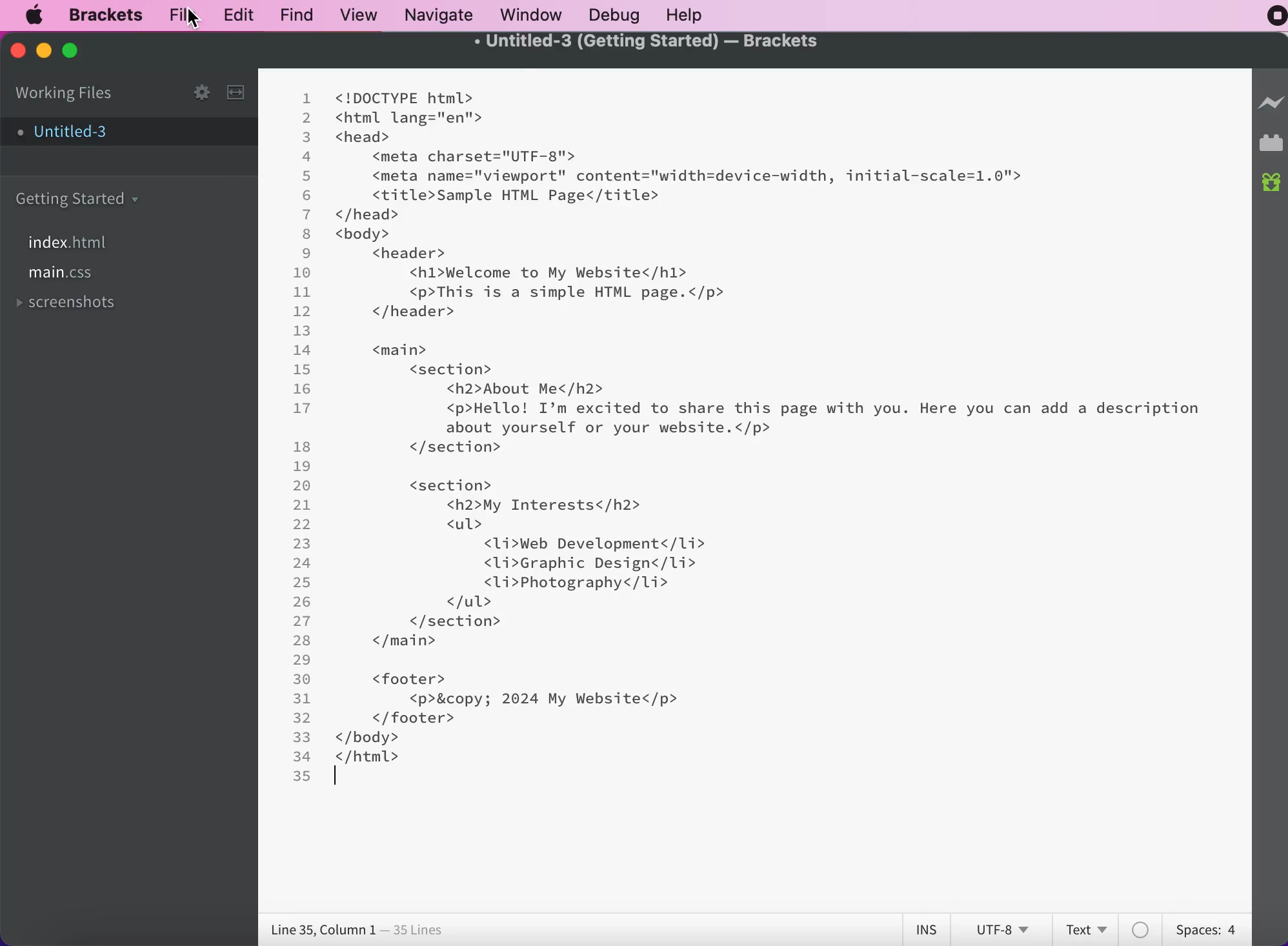  I want to click on file index.html, so click(75, 243).